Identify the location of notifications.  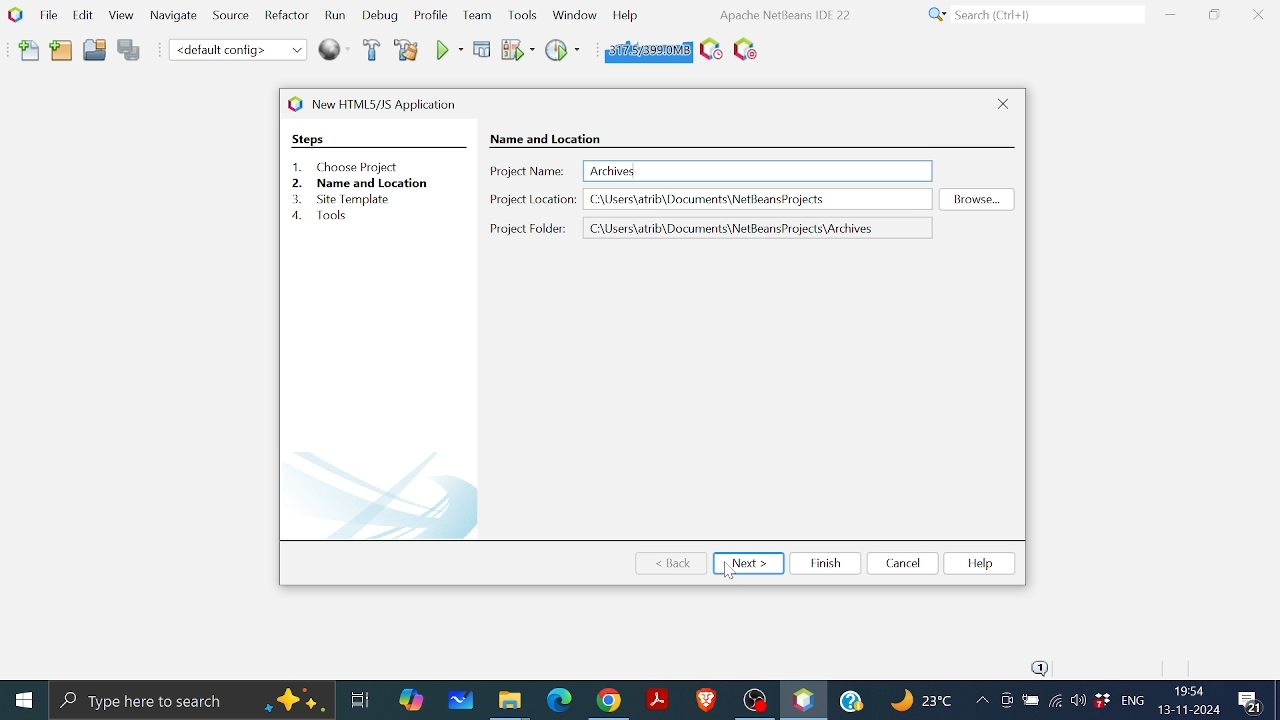
(1039, 667).